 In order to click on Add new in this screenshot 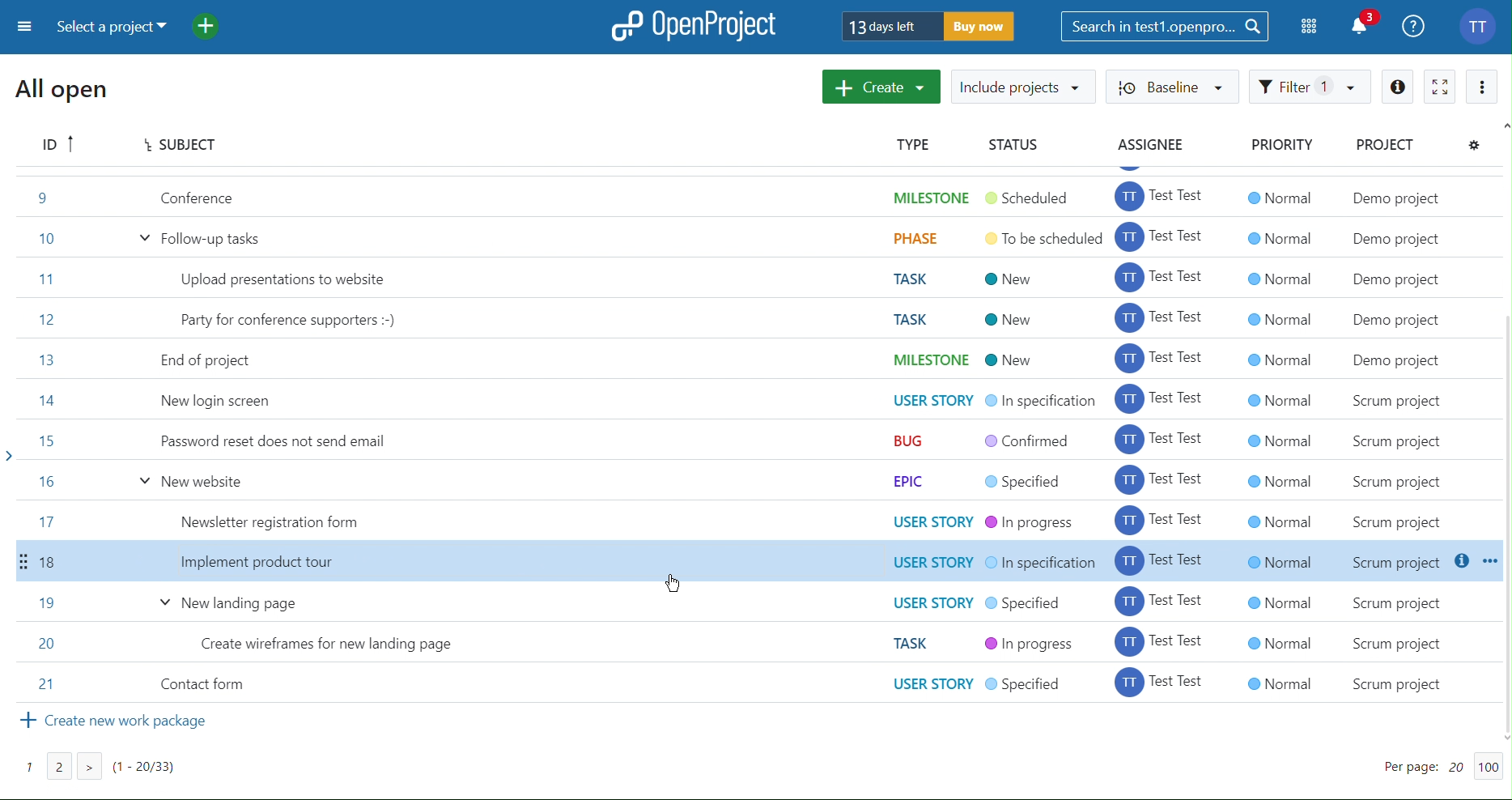, I will do `click(217, 27)`.